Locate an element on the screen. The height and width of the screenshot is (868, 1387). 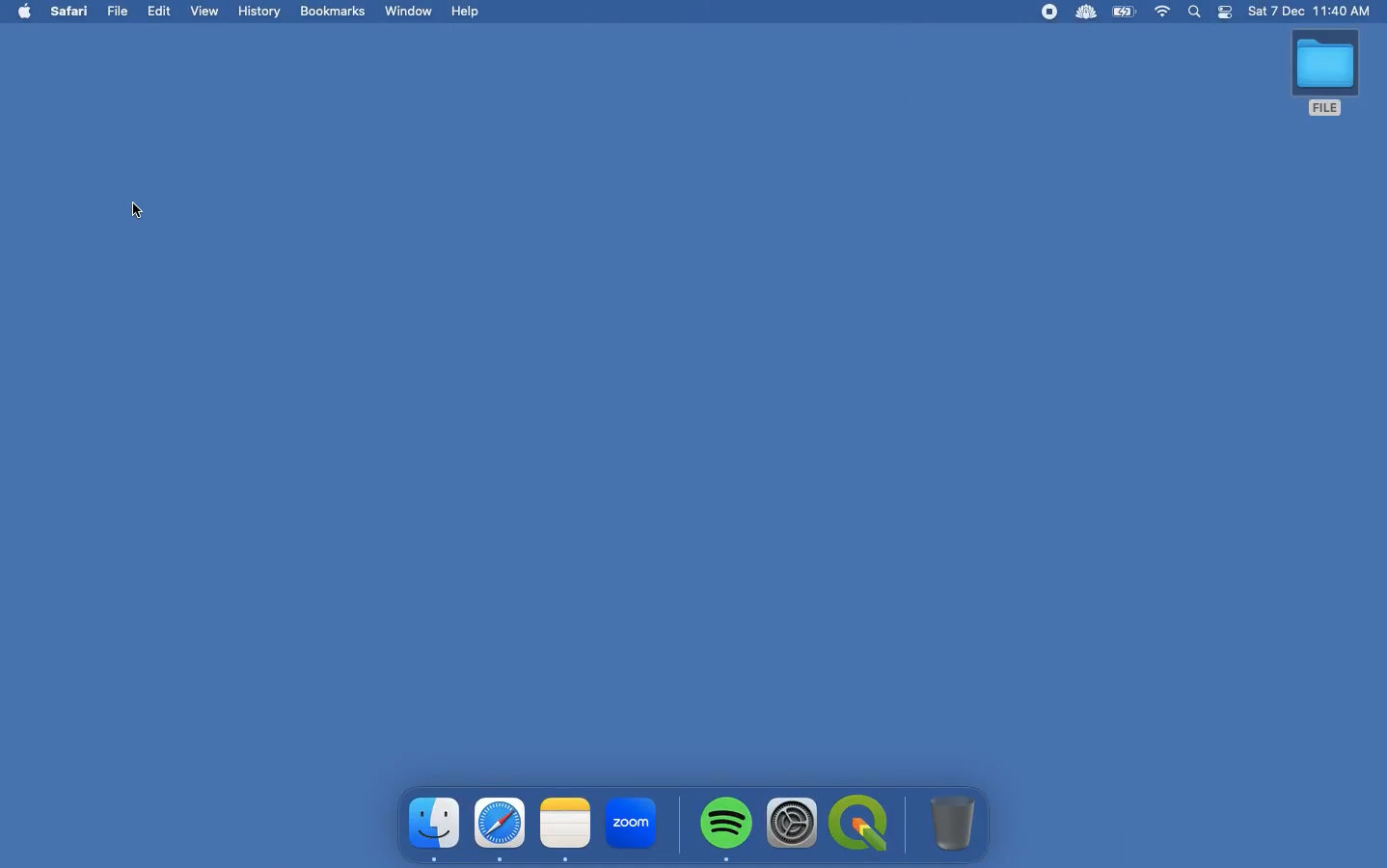
Safari is located at coordinates (75, 13).